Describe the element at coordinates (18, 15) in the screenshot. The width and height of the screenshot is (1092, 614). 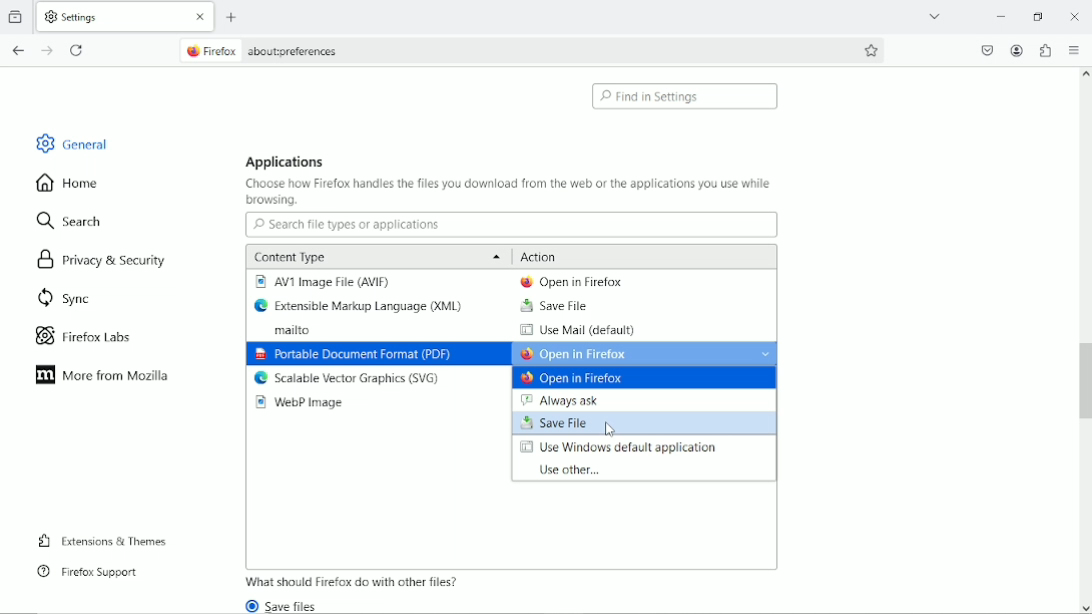
I see `View recent browsing` at that location.